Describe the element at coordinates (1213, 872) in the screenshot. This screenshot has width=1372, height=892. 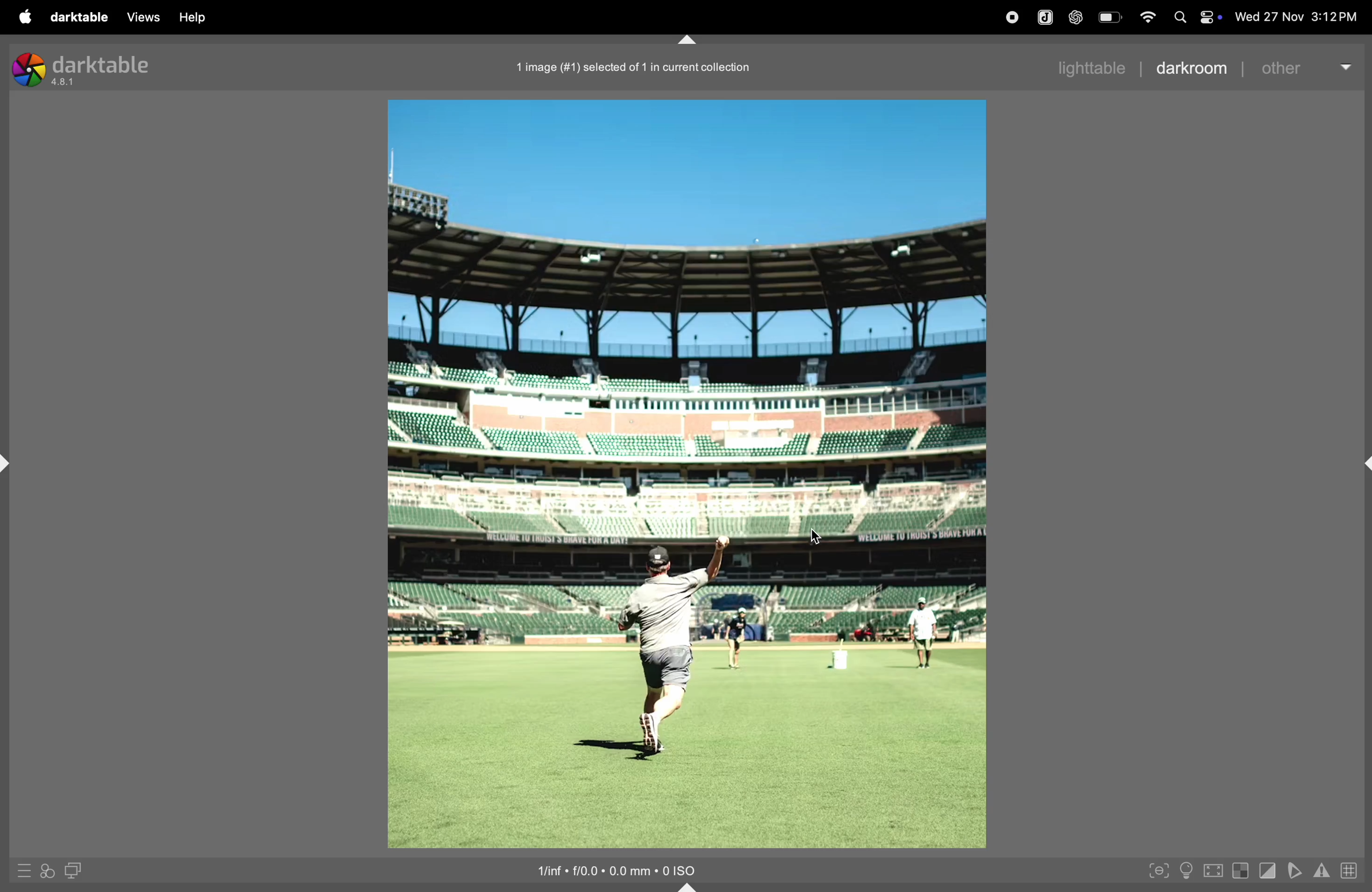
I see `toggle high quality processing` at that location.